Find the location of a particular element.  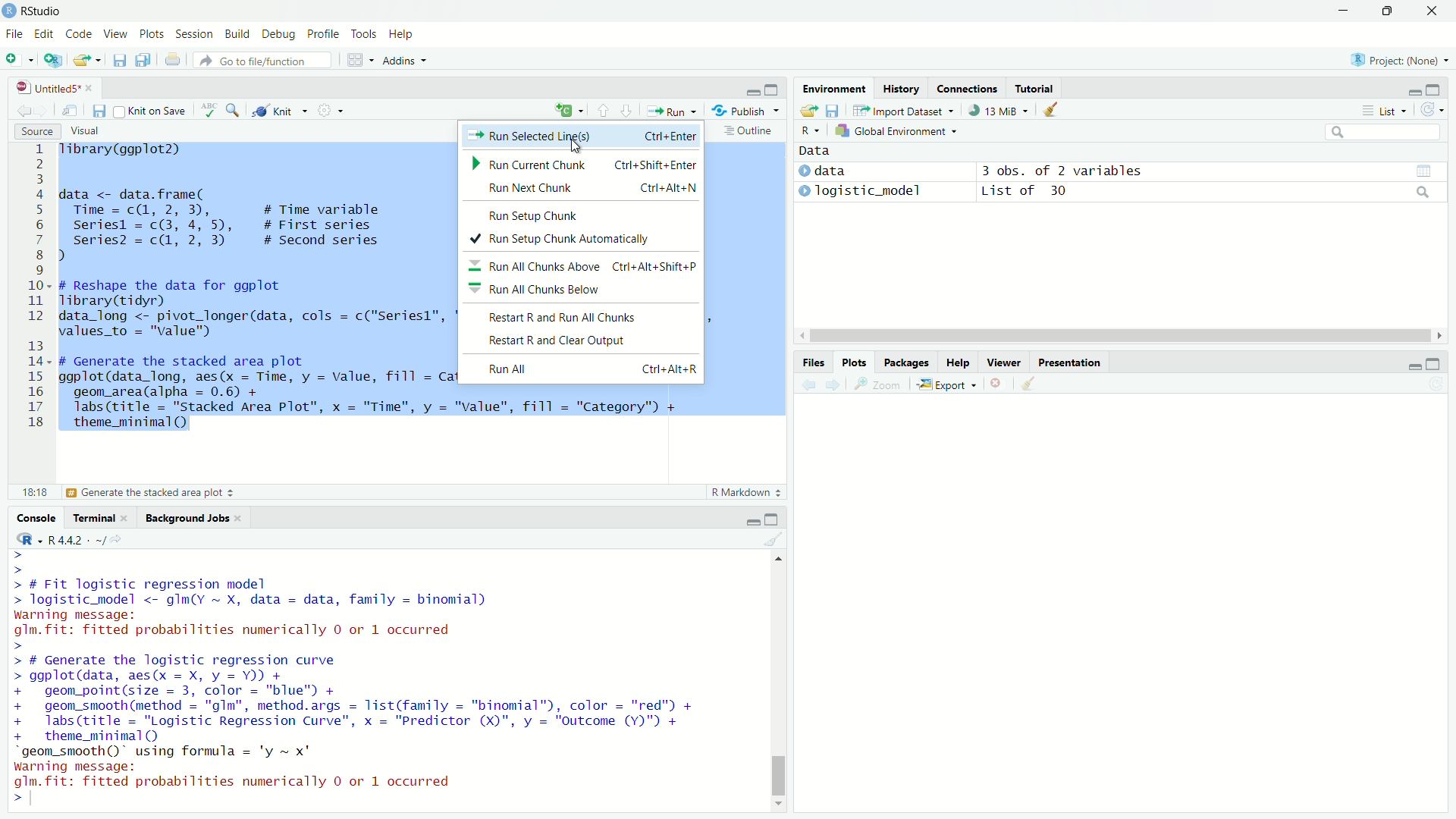

Run Setup Chunk is located at coordinates (544, 216).